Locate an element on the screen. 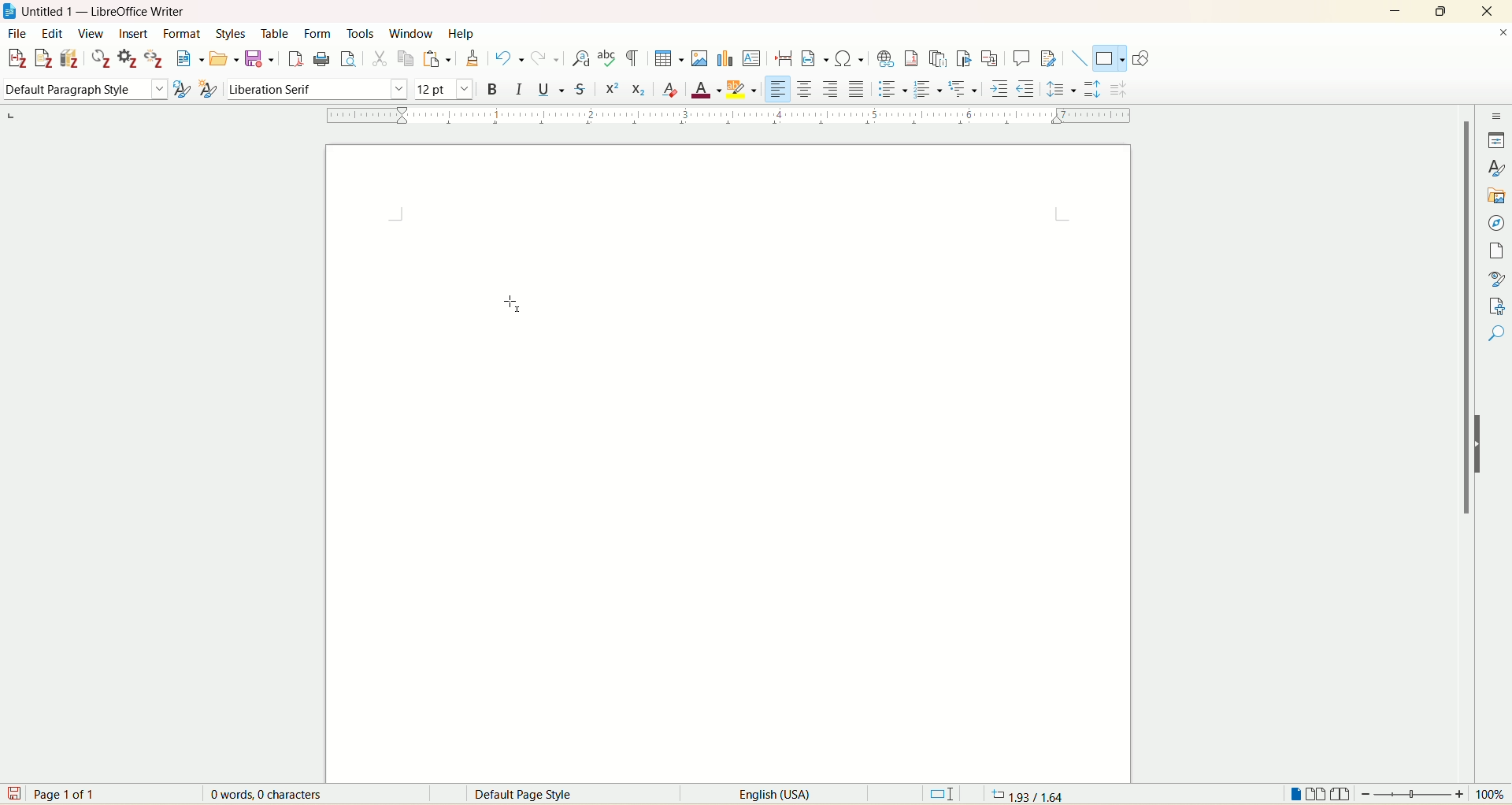  add note is located at coordinates (43, 59).